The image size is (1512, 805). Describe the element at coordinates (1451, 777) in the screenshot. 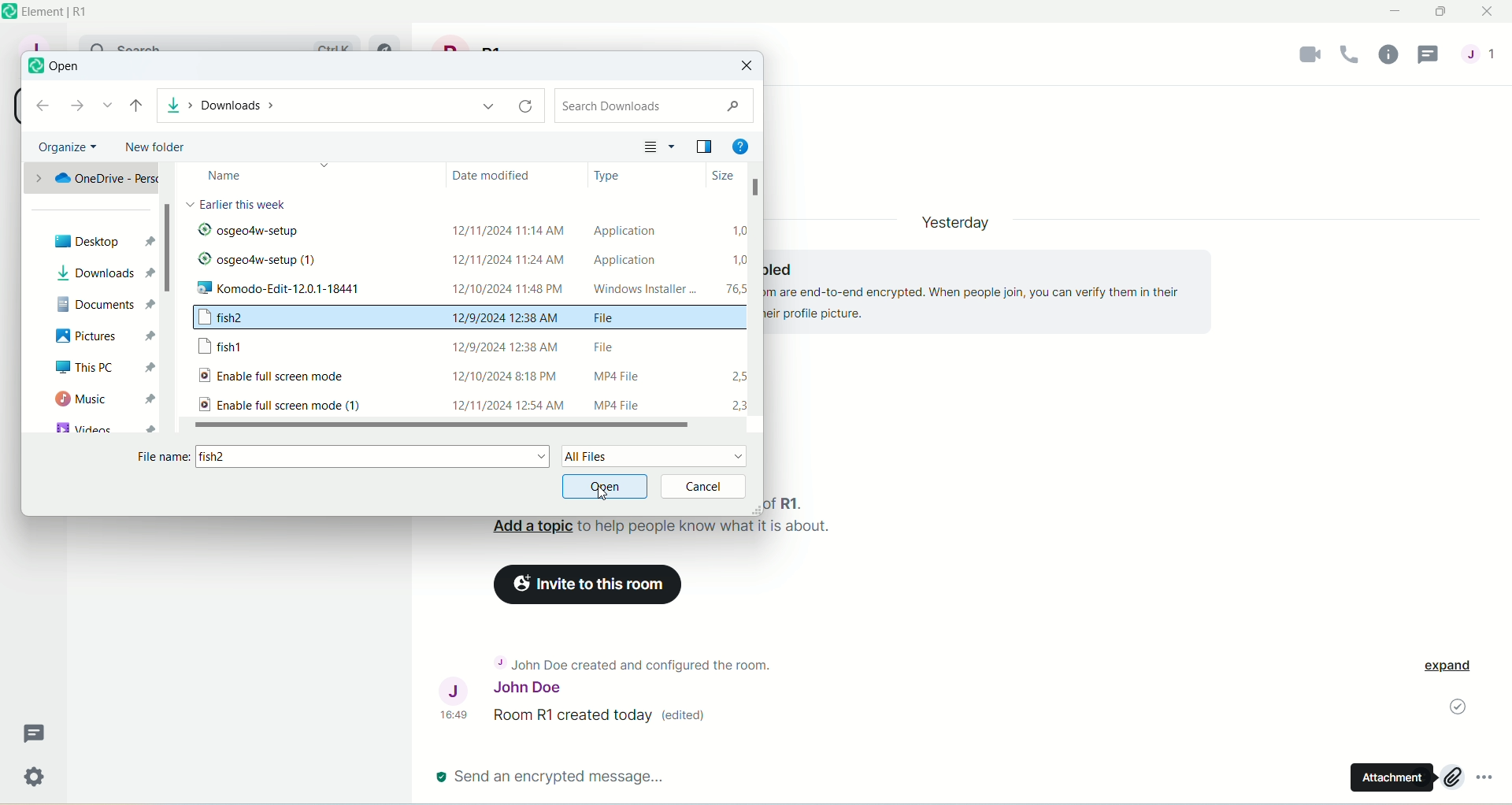

I see `attachment` at that location.